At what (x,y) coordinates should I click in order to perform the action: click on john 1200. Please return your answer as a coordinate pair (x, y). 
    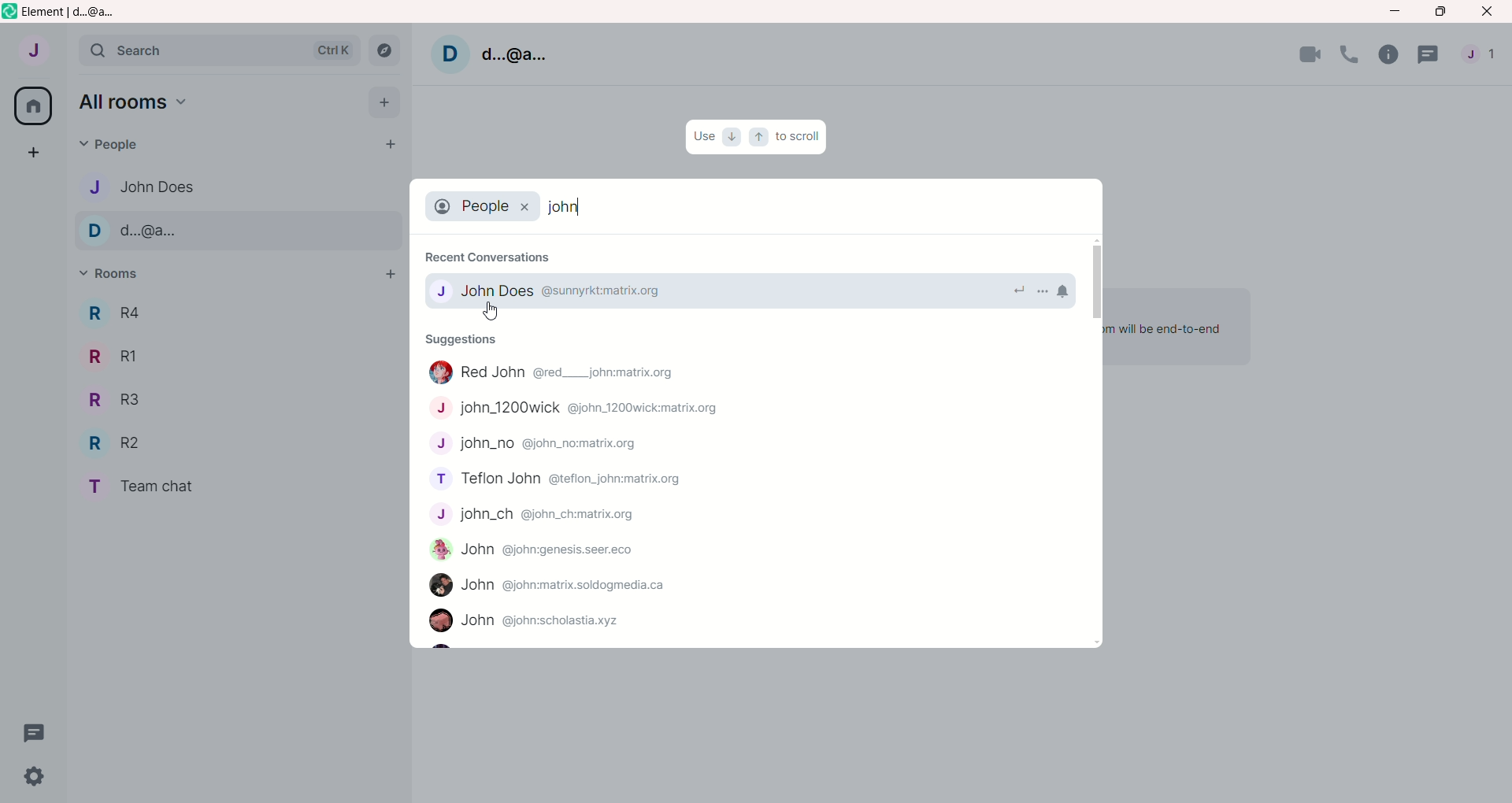
    Looking at the image, I should click on (588, 411).